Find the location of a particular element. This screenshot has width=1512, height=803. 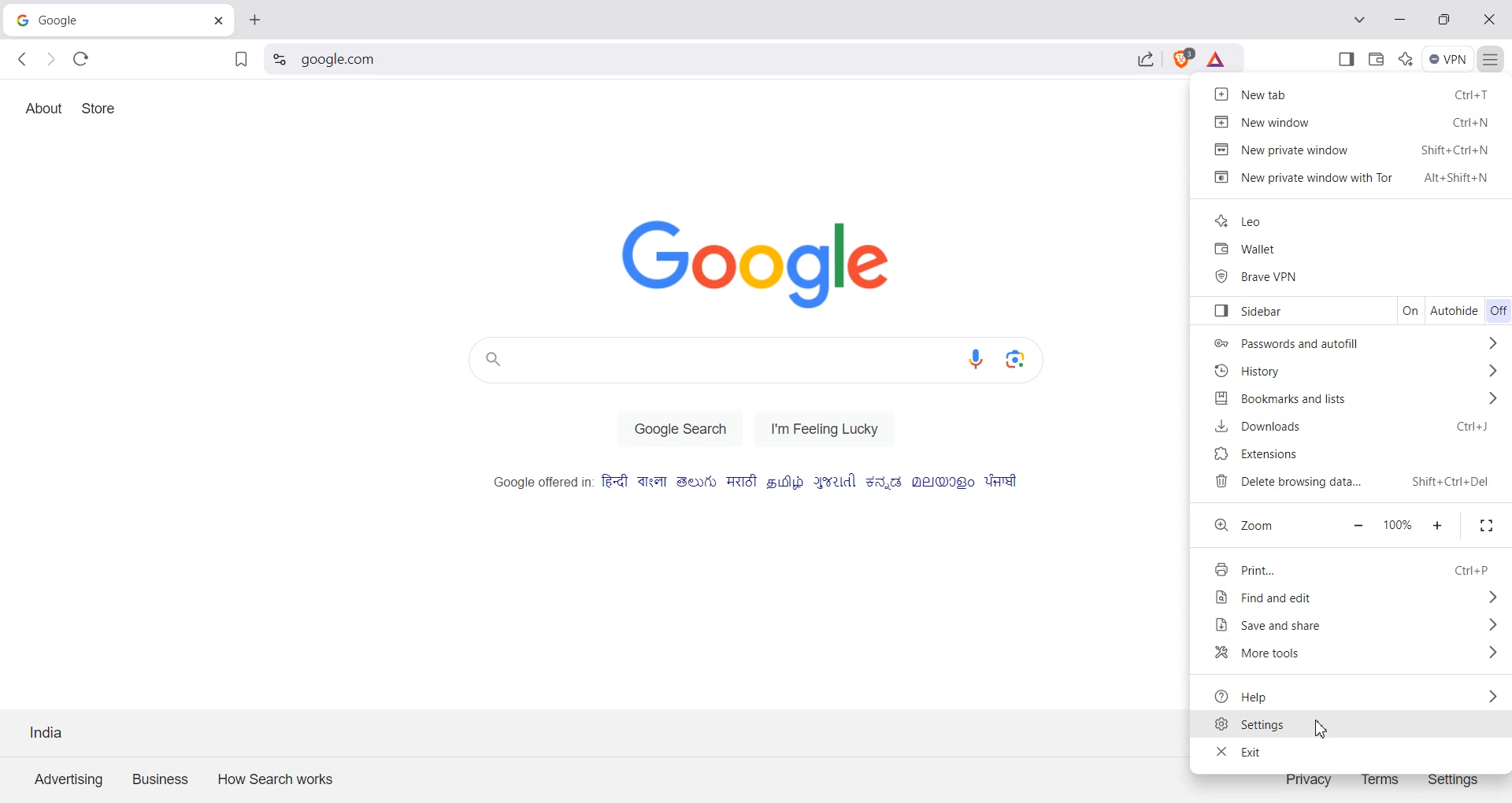

Cursor is located at coordinates (1321, 728).